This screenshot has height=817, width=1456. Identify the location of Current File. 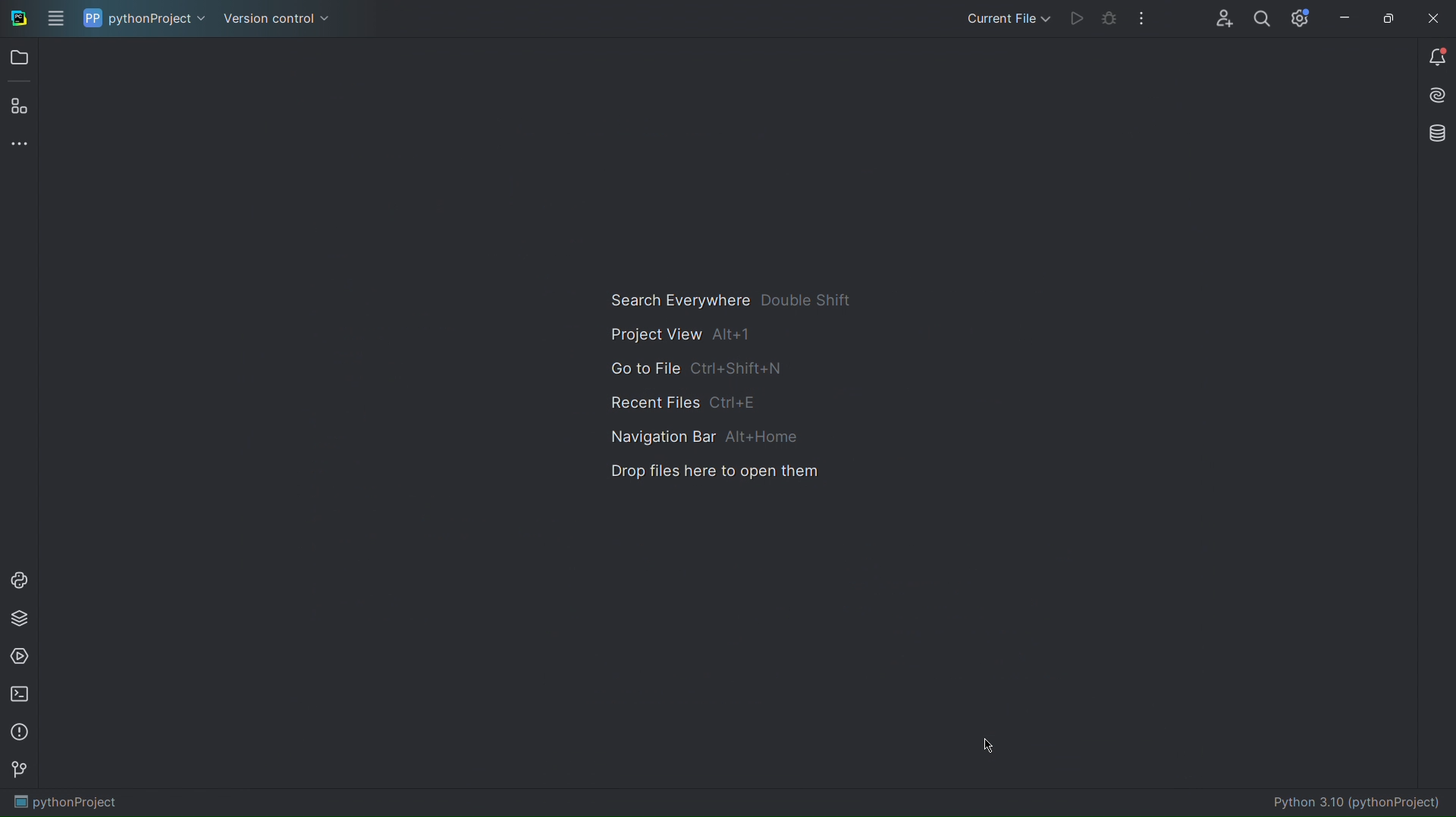
(1006, 18).